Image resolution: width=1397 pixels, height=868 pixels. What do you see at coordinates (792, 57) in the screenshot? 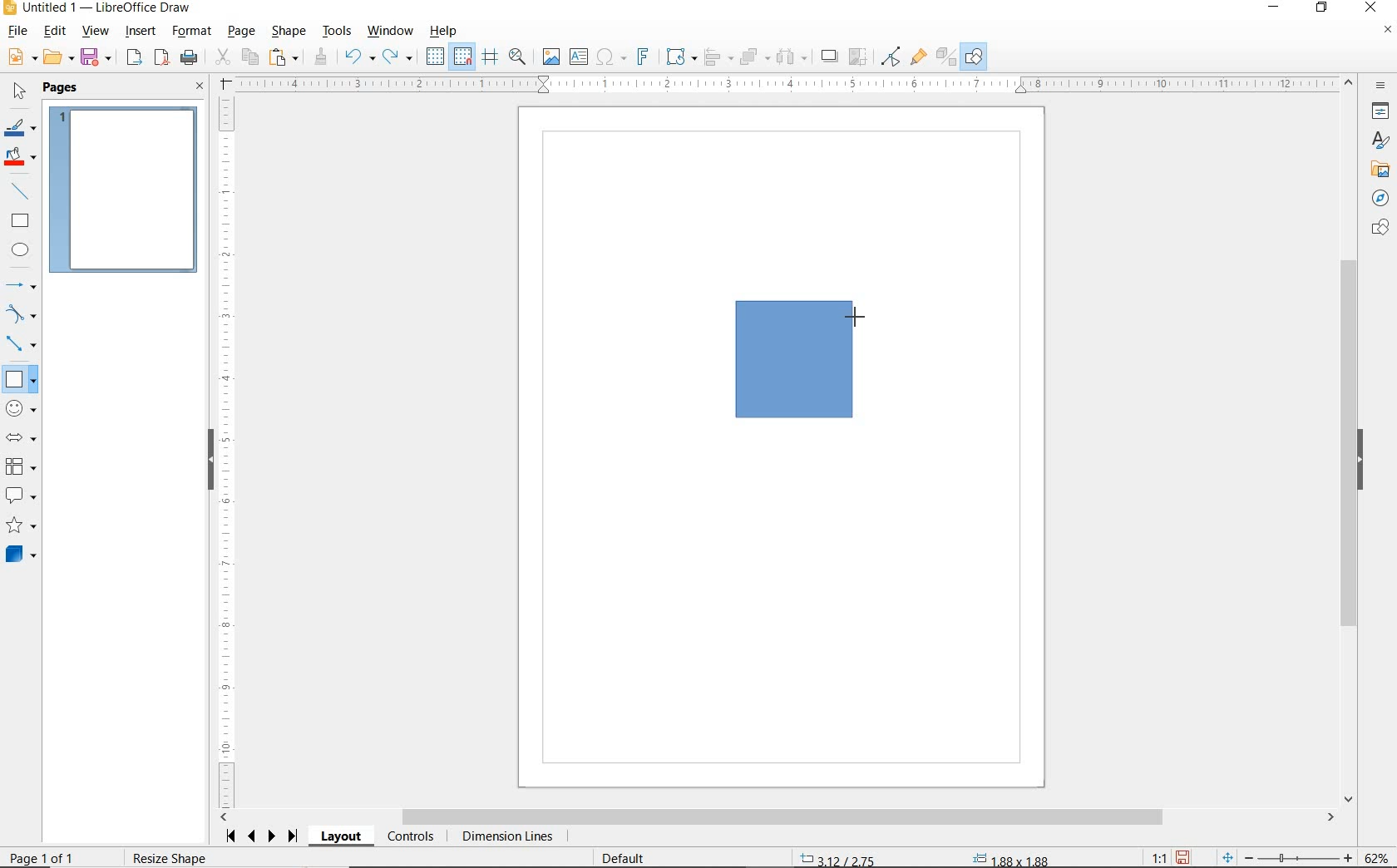
I see `SELECT AT LEAST THREE OBJECTS TO DISTRIBUTE` at bounding box center [792, 57].